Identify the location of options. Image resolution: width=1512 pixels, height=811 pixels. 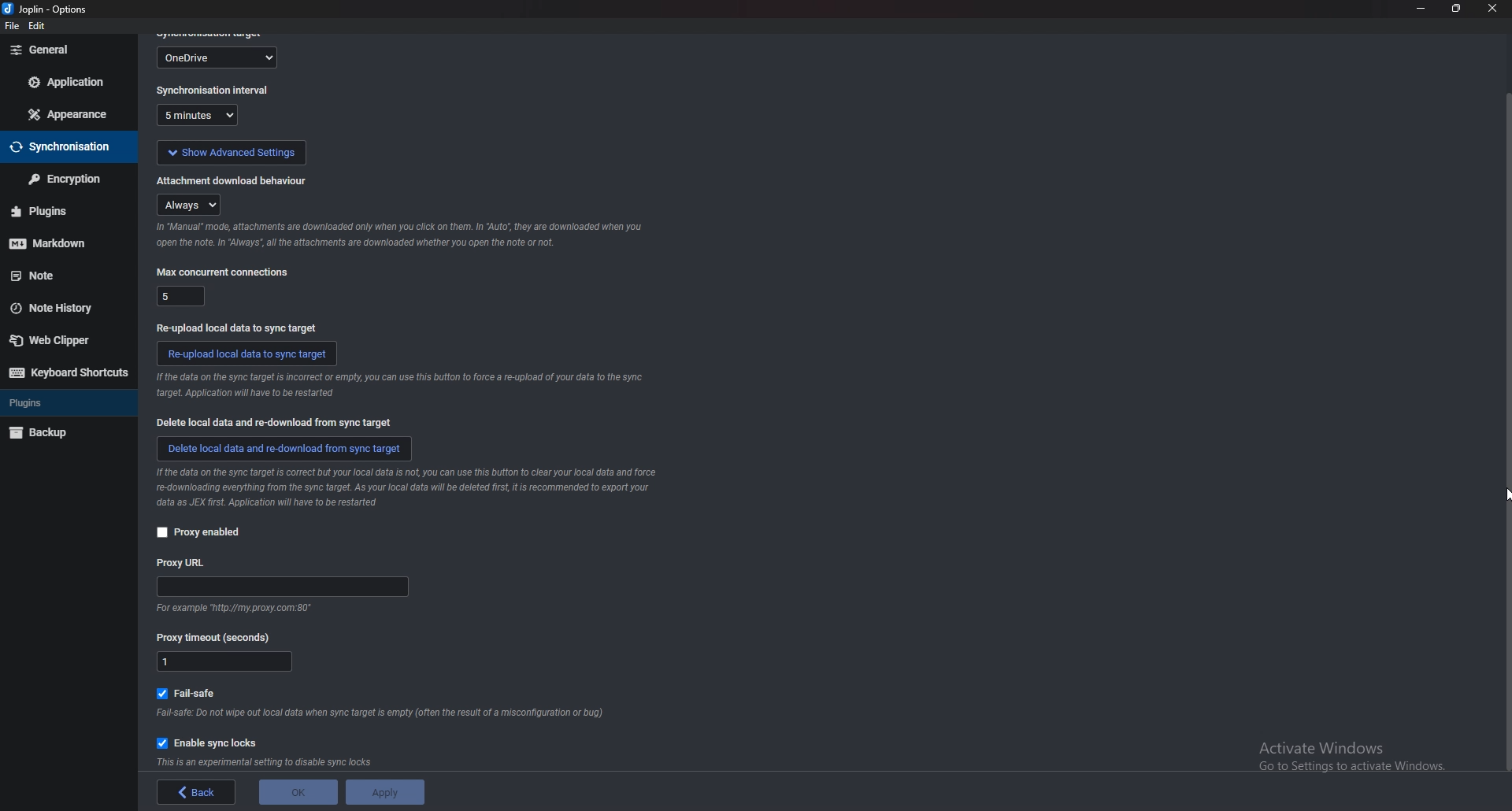
(48, 9).